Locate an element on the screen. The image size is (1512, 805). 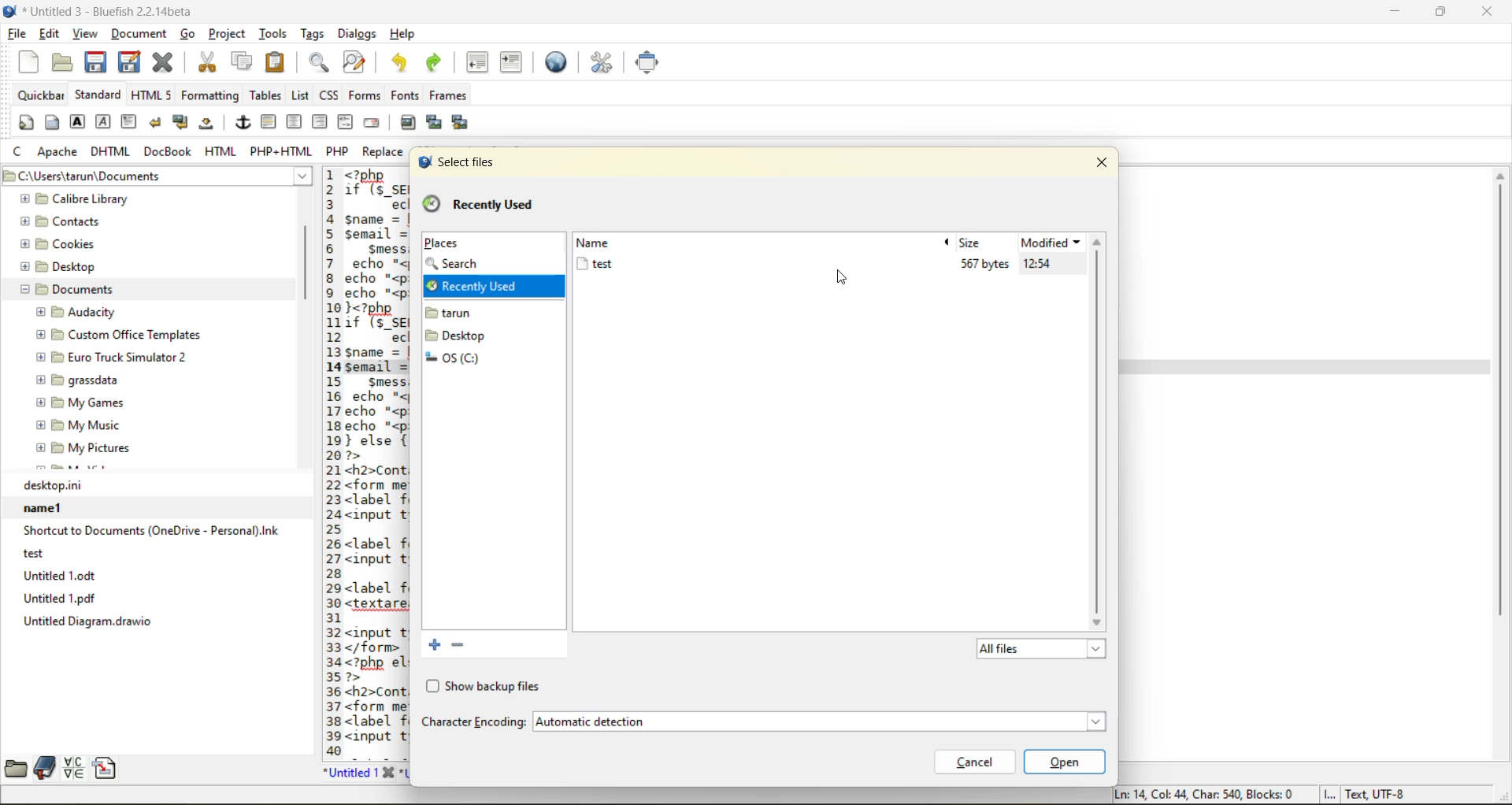
file name is located at coordinates (594, 264).